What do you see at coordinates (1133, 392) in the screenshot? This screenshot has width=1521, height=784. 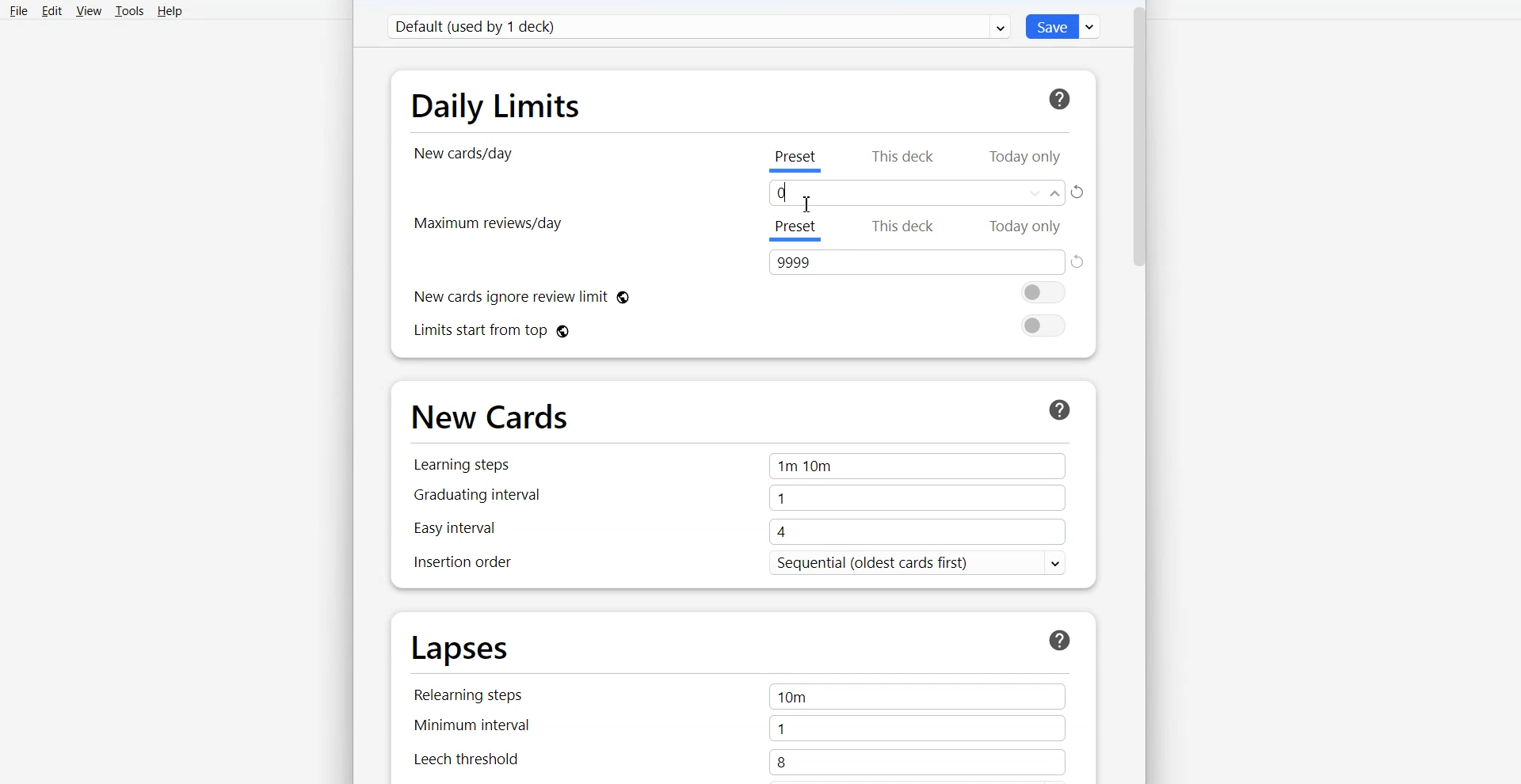 I see `Vertical scroll bar` at bounding box center [1133, 392].